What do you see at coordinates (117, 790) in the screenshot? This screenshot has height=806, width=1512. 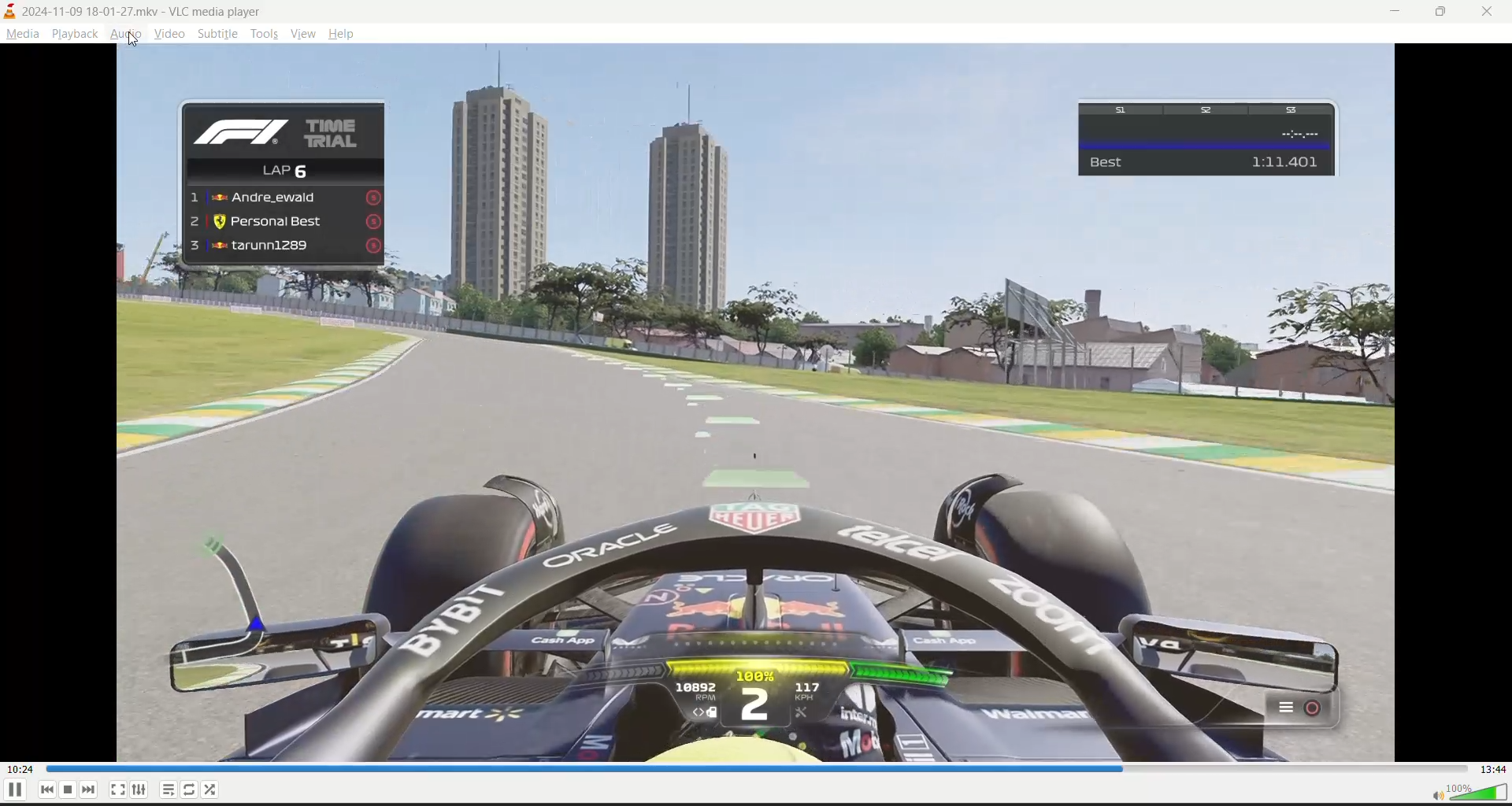 I see `fullscreen` at bounding box center [117, 790].